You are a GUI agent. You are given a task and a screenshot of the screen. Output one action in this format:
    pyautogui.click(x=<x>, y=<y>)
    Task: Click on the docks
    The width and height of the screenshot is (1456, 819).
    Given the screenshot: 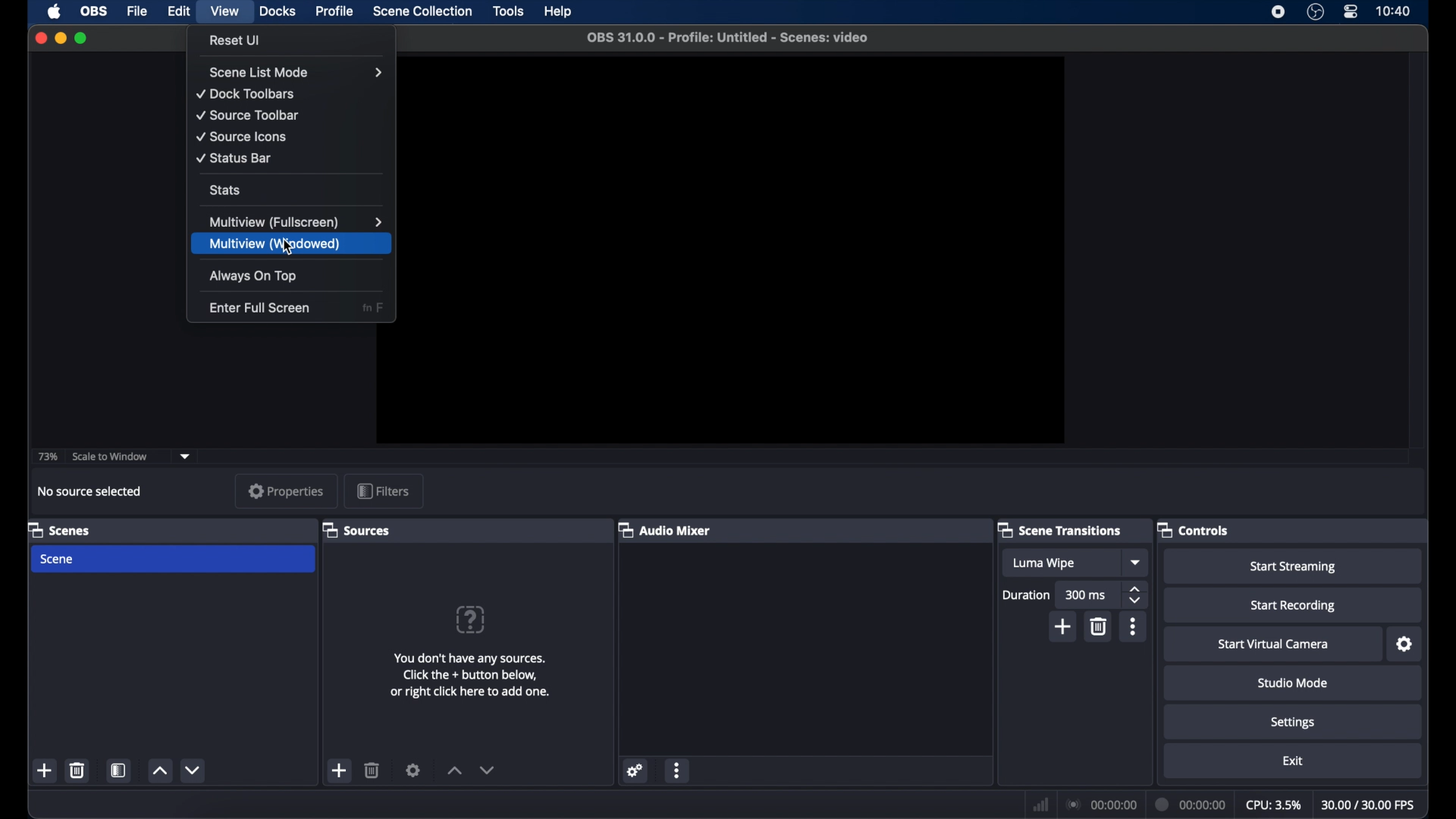 What is the action you would take?
    pyautogui.click(x=278, y=12)
    